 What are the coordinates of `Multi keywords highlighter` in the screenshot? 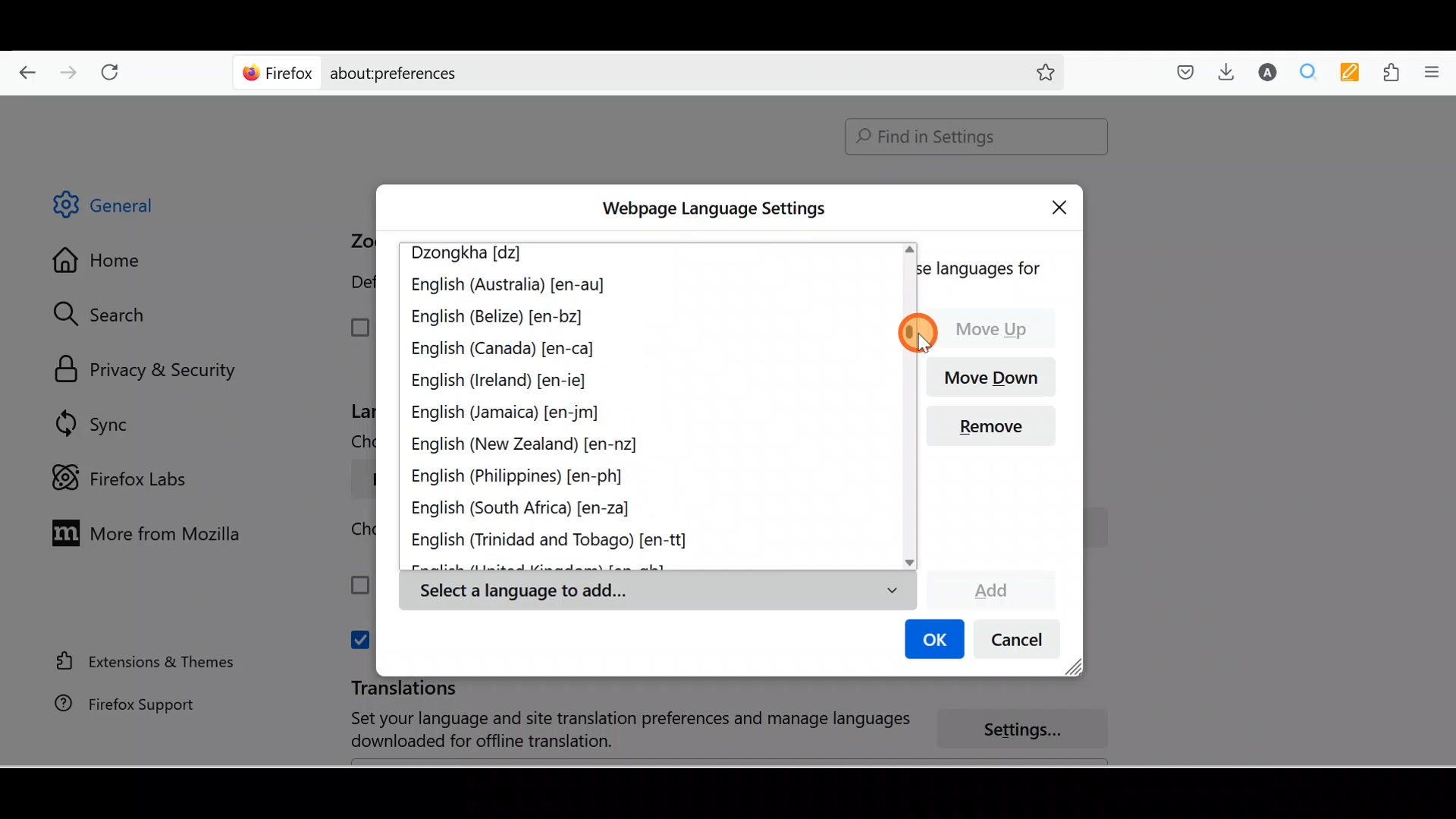 It's located at (1354, 74).